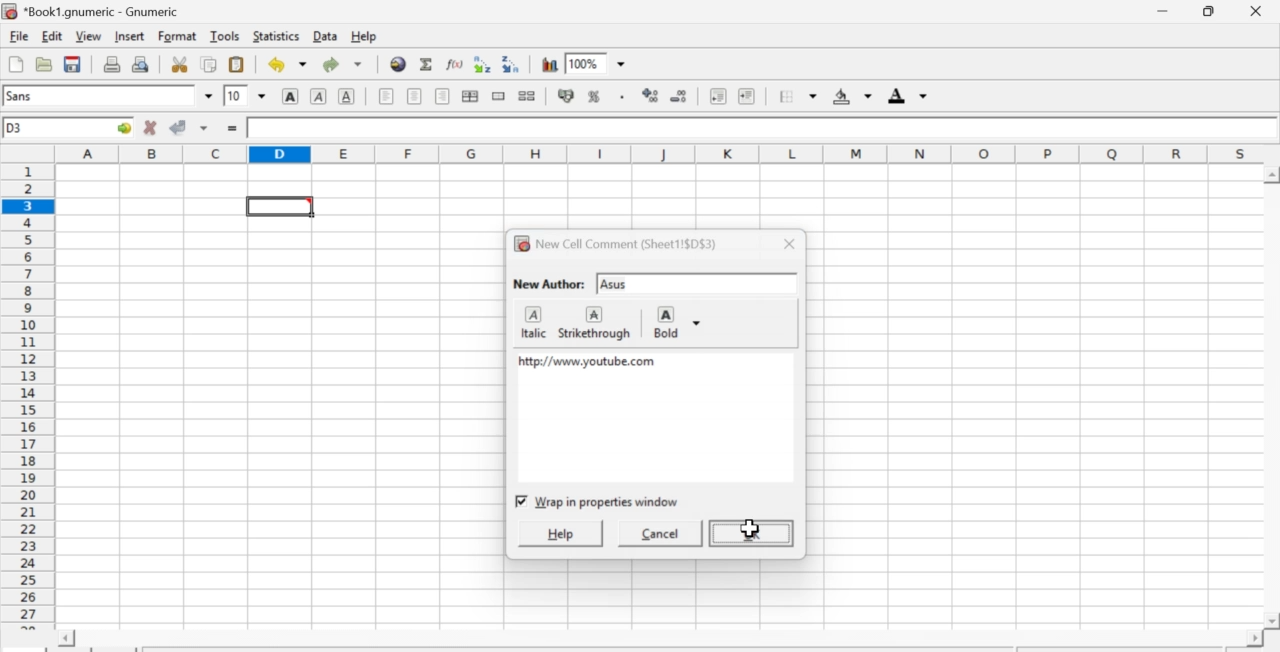  I want to click on cursor, so click(751, 526).